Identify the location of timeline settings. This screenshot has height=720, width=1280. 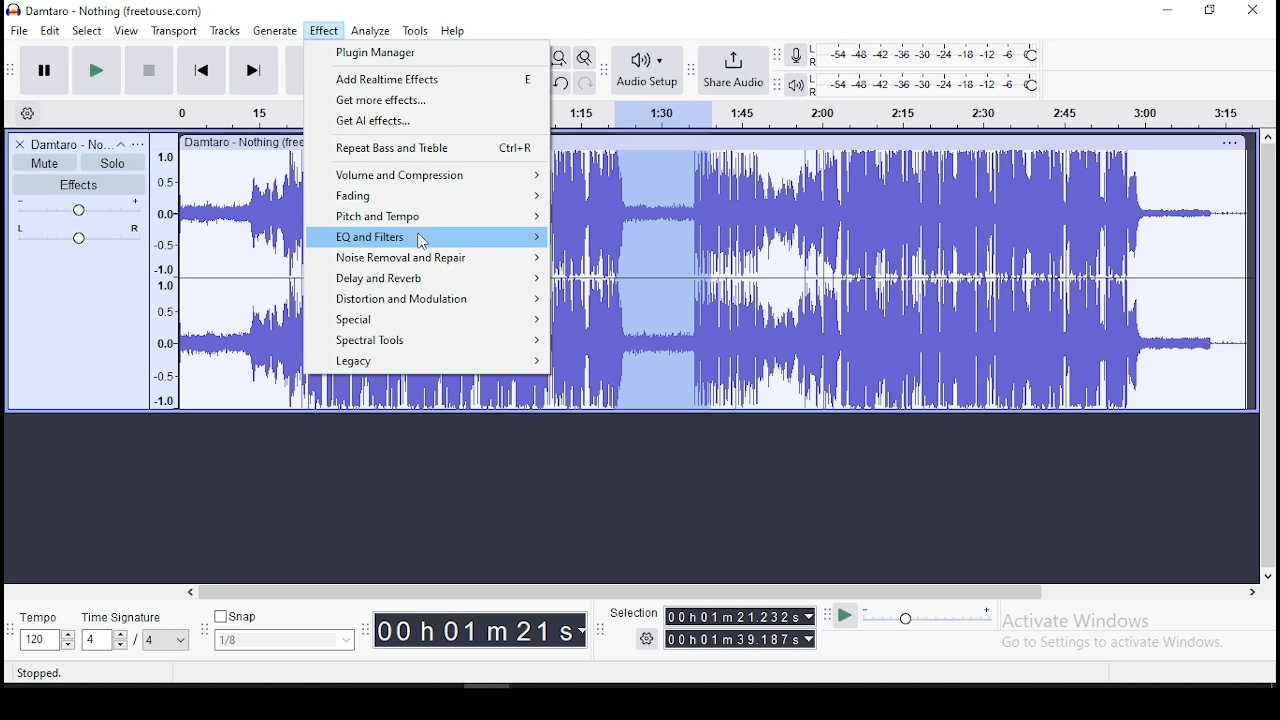
(26, 112).